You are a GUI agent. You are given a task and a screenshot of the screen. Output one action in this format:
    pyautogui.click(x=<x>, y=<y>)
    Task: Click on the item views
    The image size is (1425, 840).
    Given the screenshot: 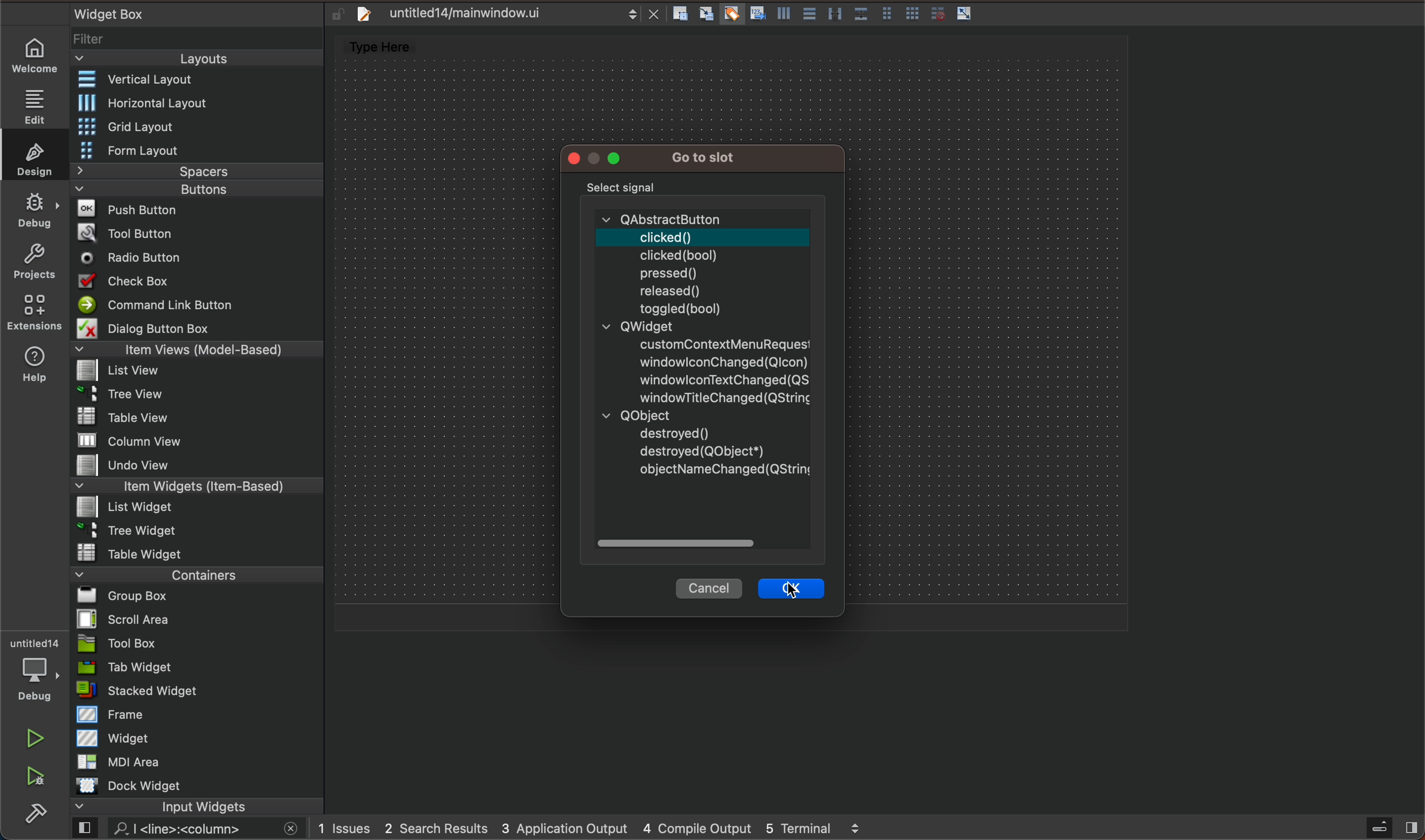 What is the action you would take?
    pyautogui.click(x=198, y=352)
    